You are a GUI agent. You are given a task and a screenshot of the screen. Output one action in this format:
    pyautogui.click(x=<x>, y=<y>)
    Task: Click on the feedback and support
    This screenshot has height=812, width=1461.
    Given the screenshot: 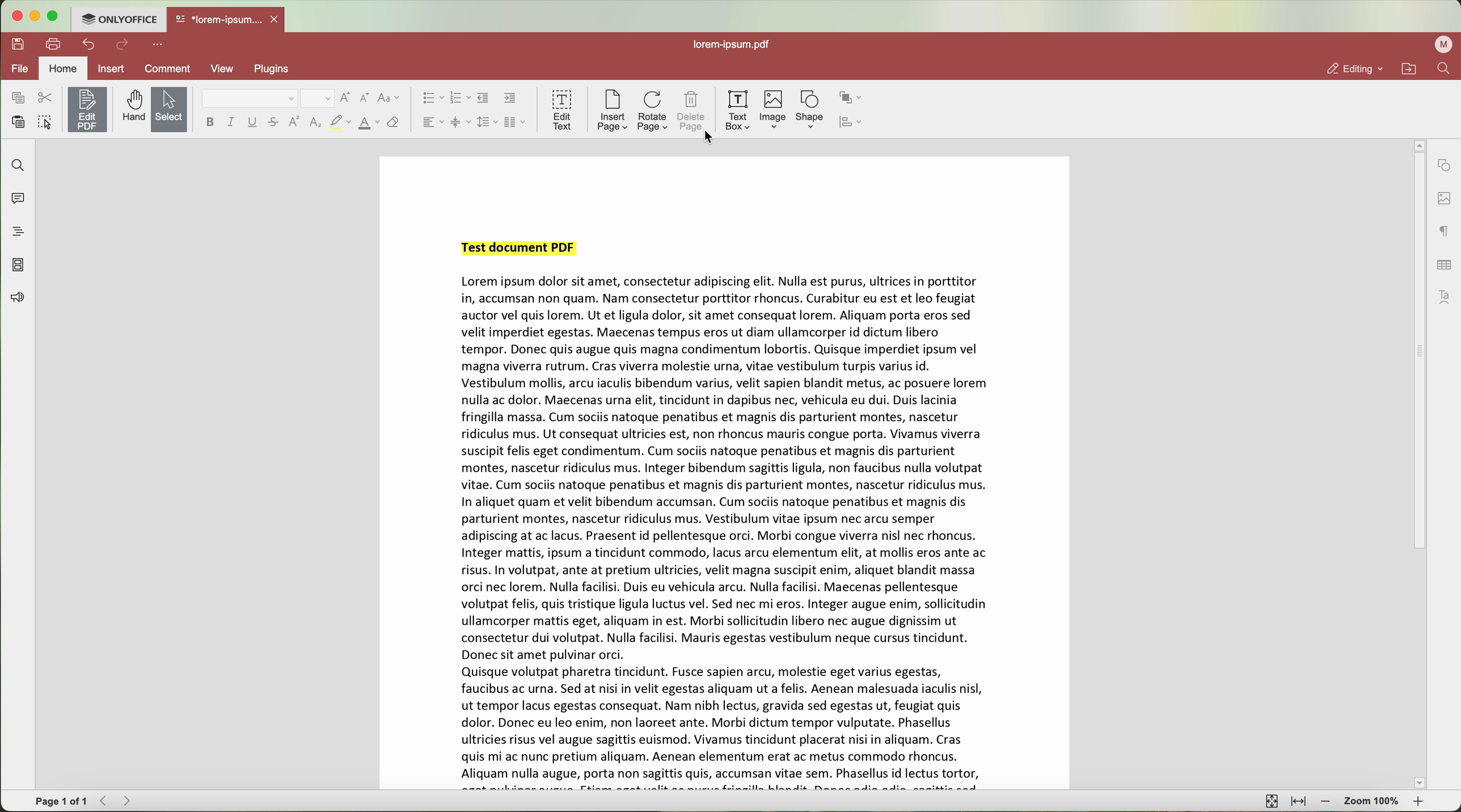 What is the action you would take?
    pyautogui.click(x=18, y=298)
    